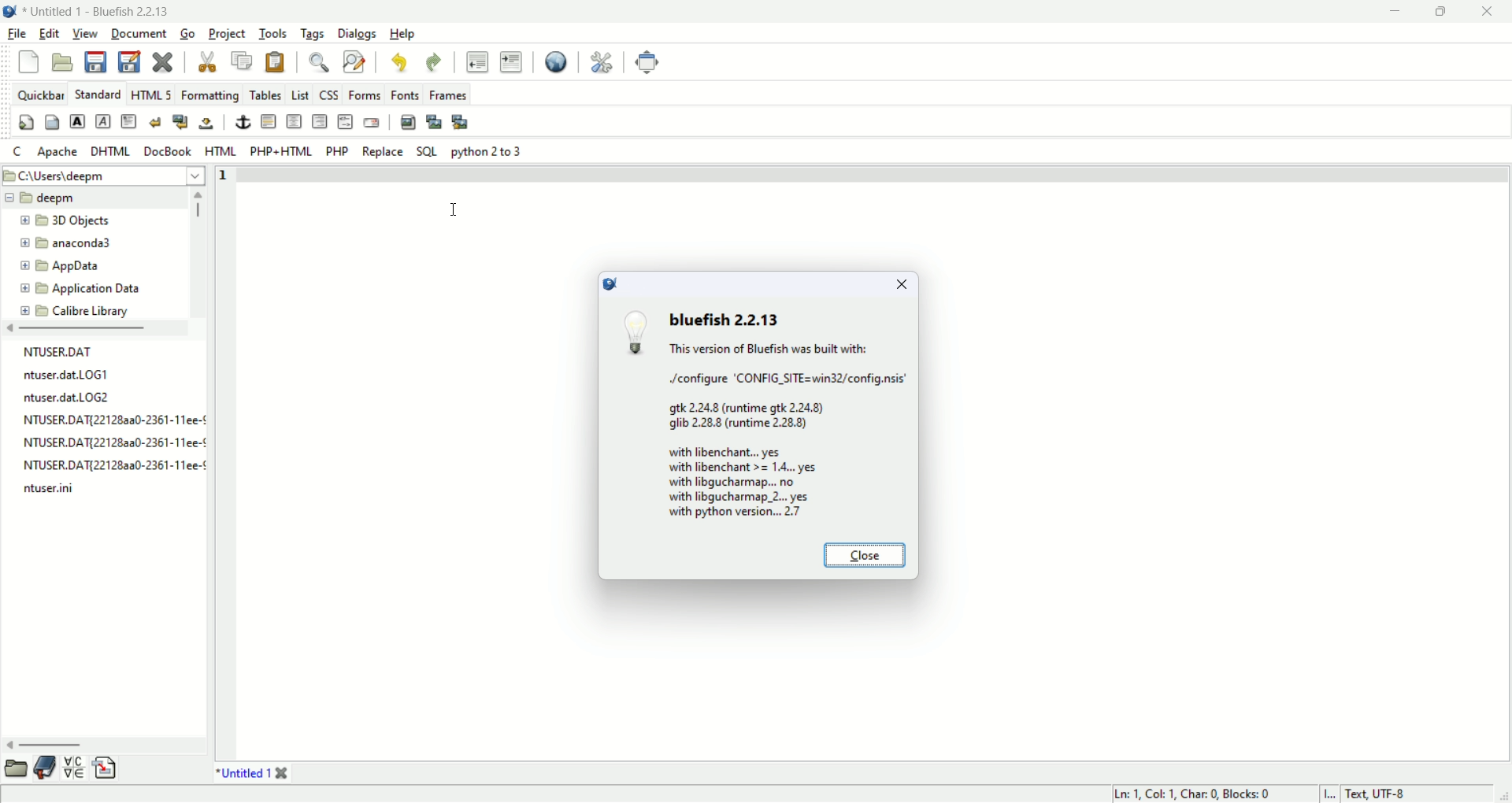 The height and width of the screenshot is (803, 1512). Describe the element at coordinates (239, 773) in the screenshot. I see `document tab` at that location.